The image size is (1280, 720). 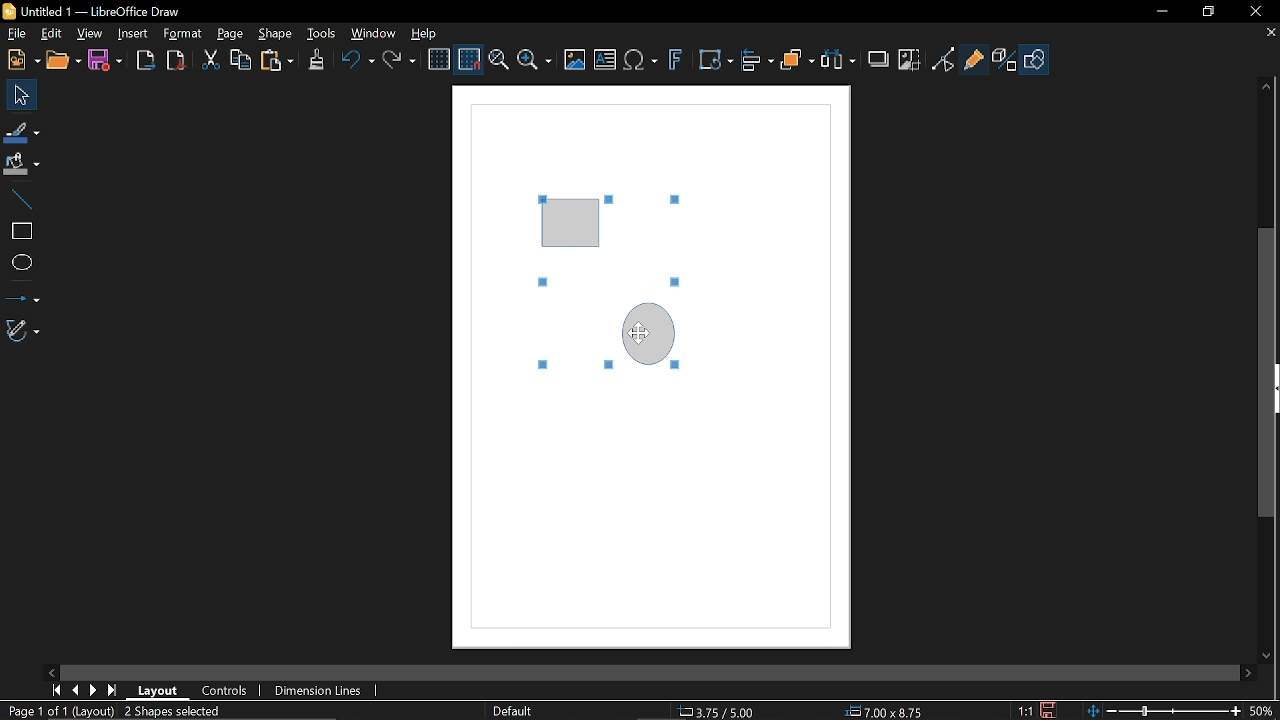 What do you see at coordinates (157, 690) in the screenshot?
I see `Layout` at bounding box center [157, 690].